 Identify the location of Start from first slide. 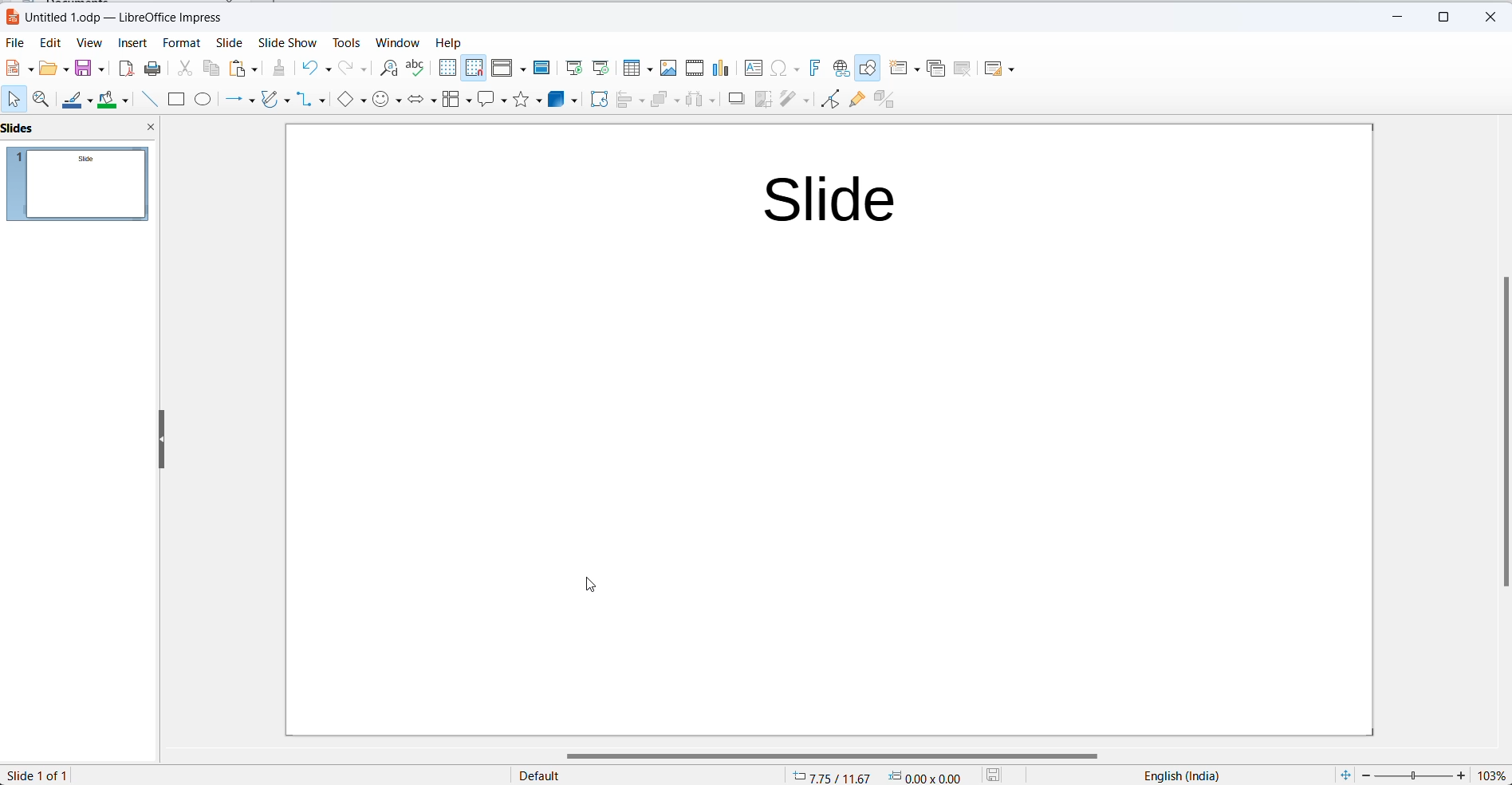
(571, 68).